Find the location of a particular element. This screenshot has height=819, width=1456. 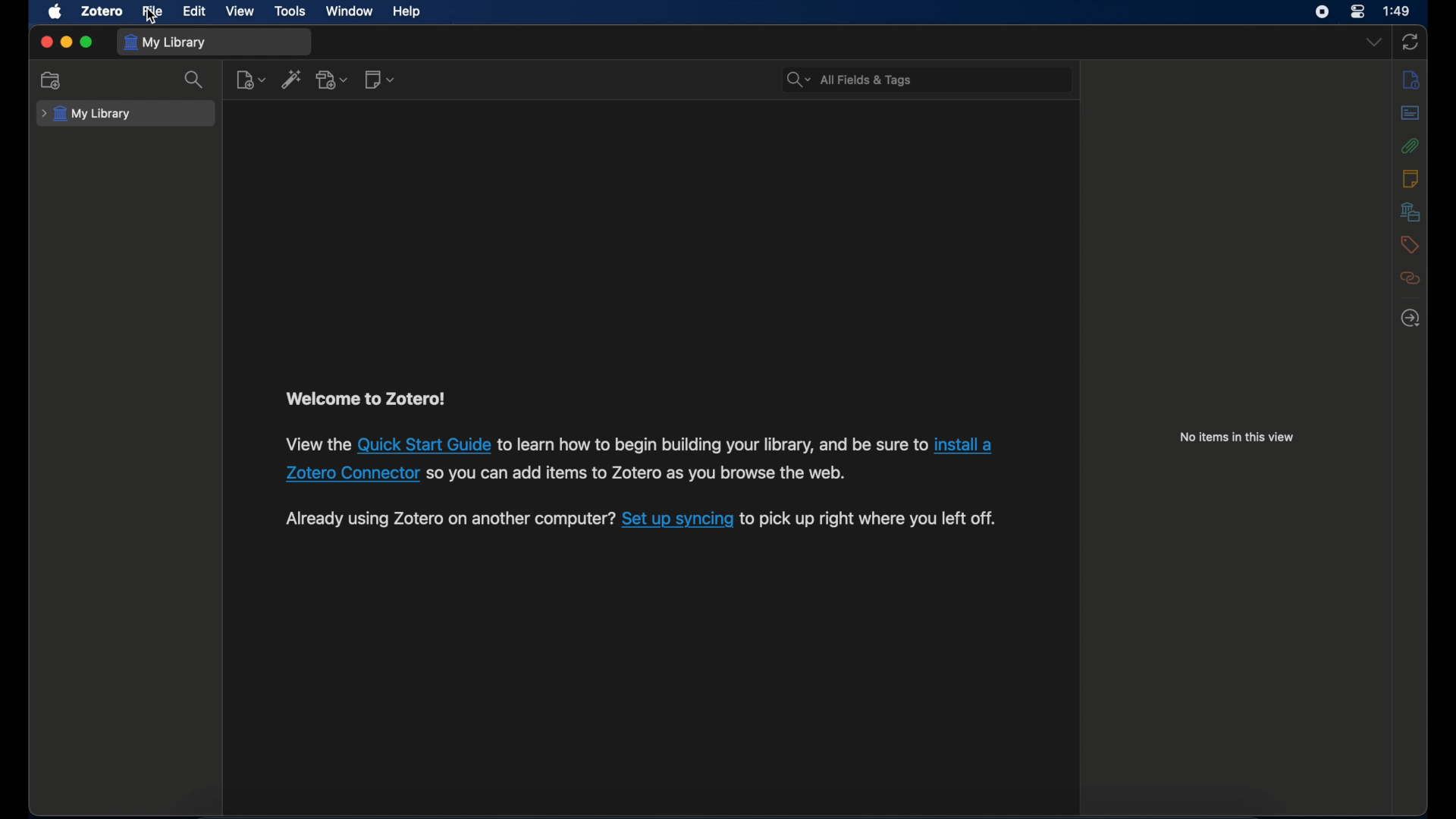

no items in this view is located at coordinates (1238, 437).